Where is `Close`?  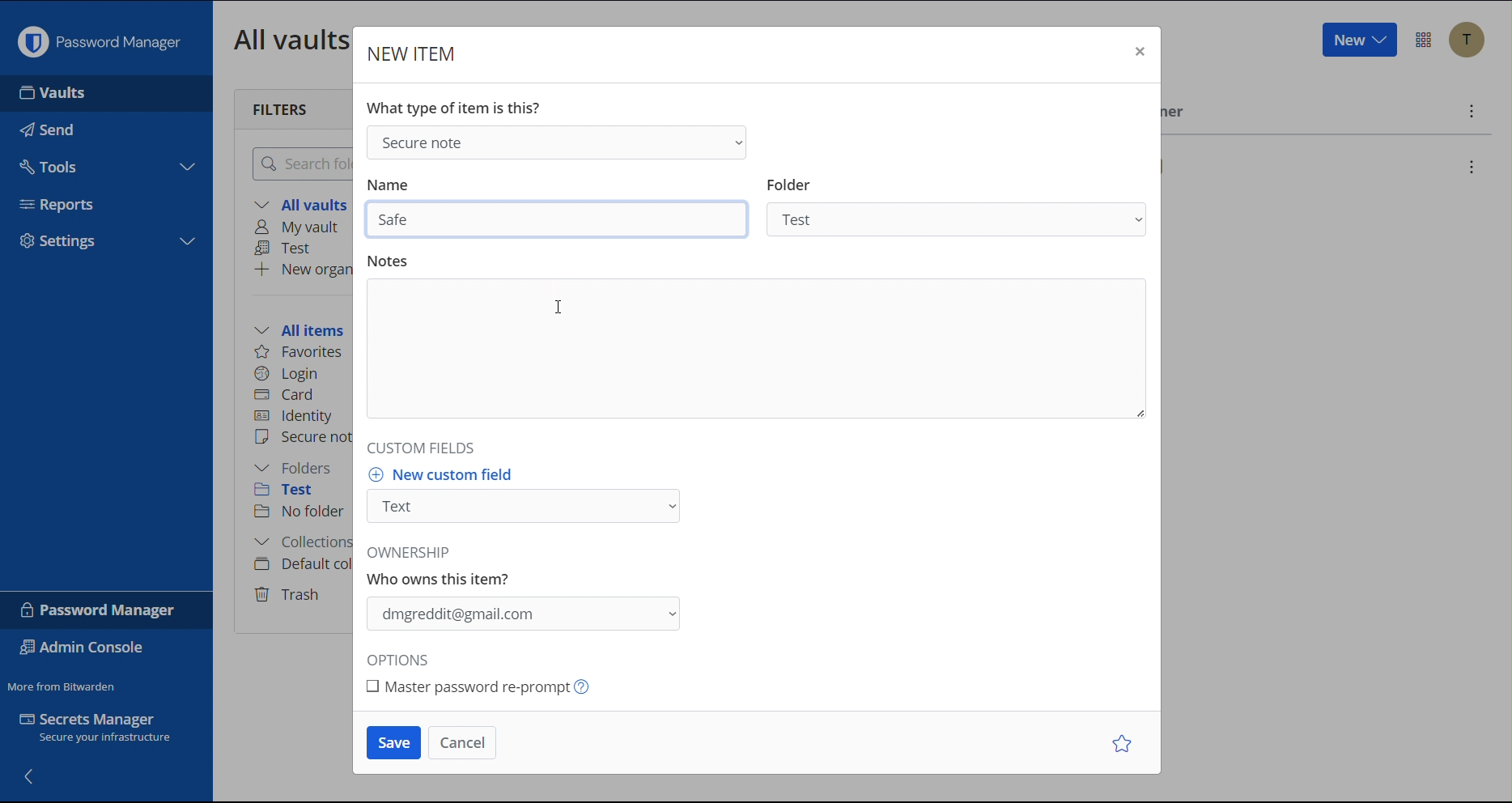 Close is located at coordinates (1137, 53).